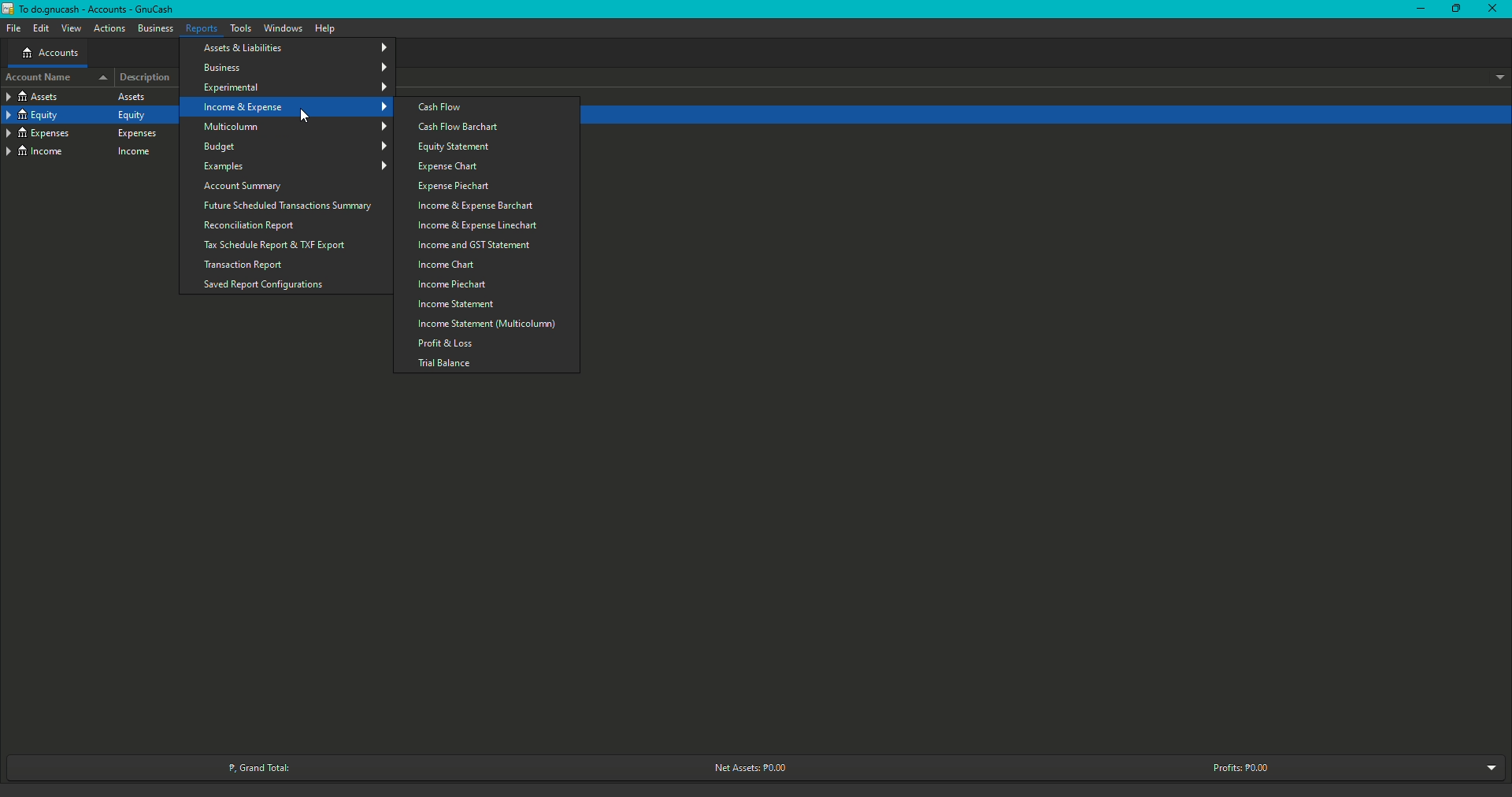  What do you see at coordinates (295, 87) in the screenshot?
I see `Experimental` at bounding box center [295, 87].